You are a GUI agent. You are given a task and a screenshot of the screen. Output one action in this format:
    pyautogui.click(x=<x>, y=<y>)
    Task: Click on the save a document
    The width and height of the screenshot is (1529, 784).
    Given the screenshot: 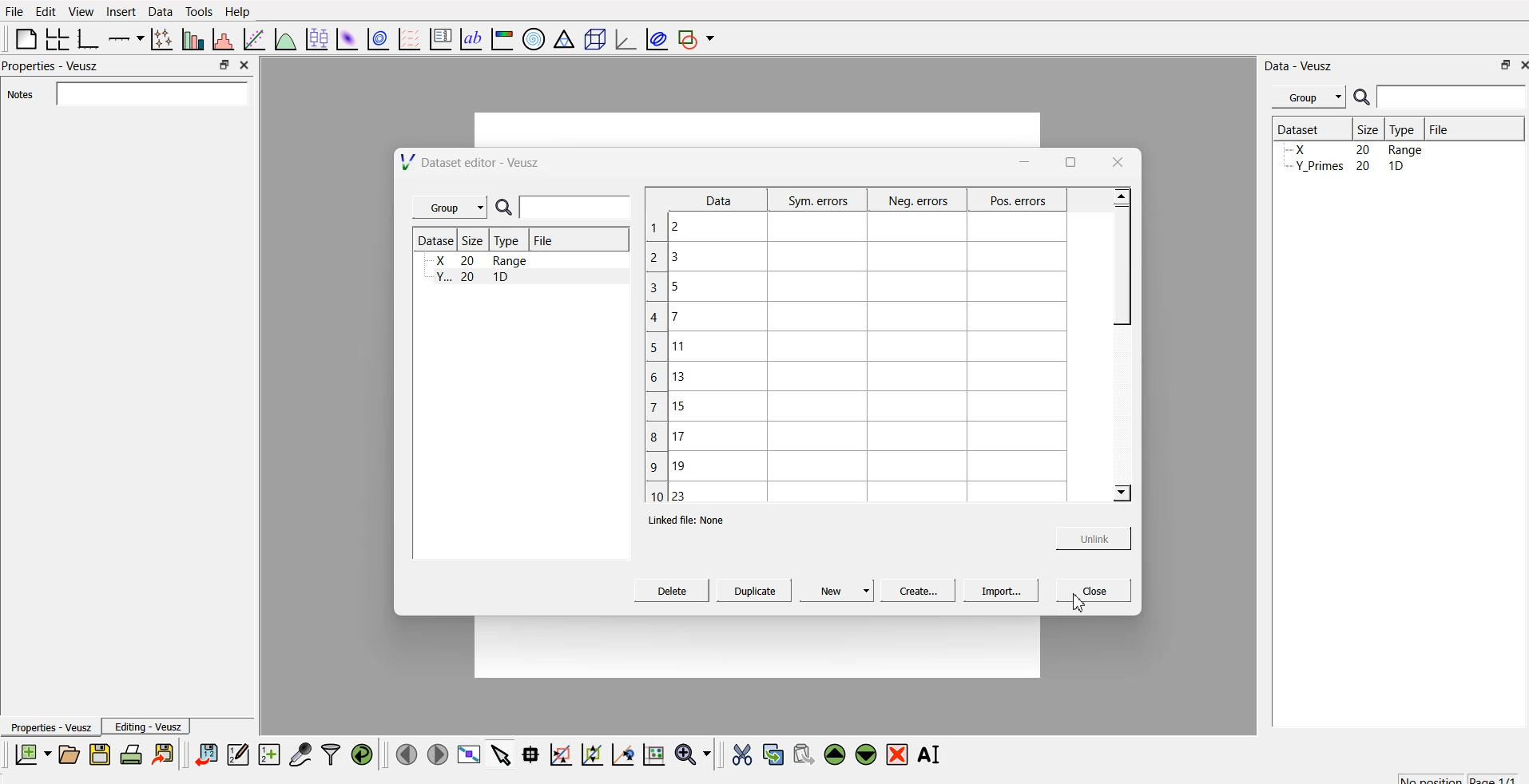 What is the action you would take?
    pyautogui.click(x=100, y=755)
    